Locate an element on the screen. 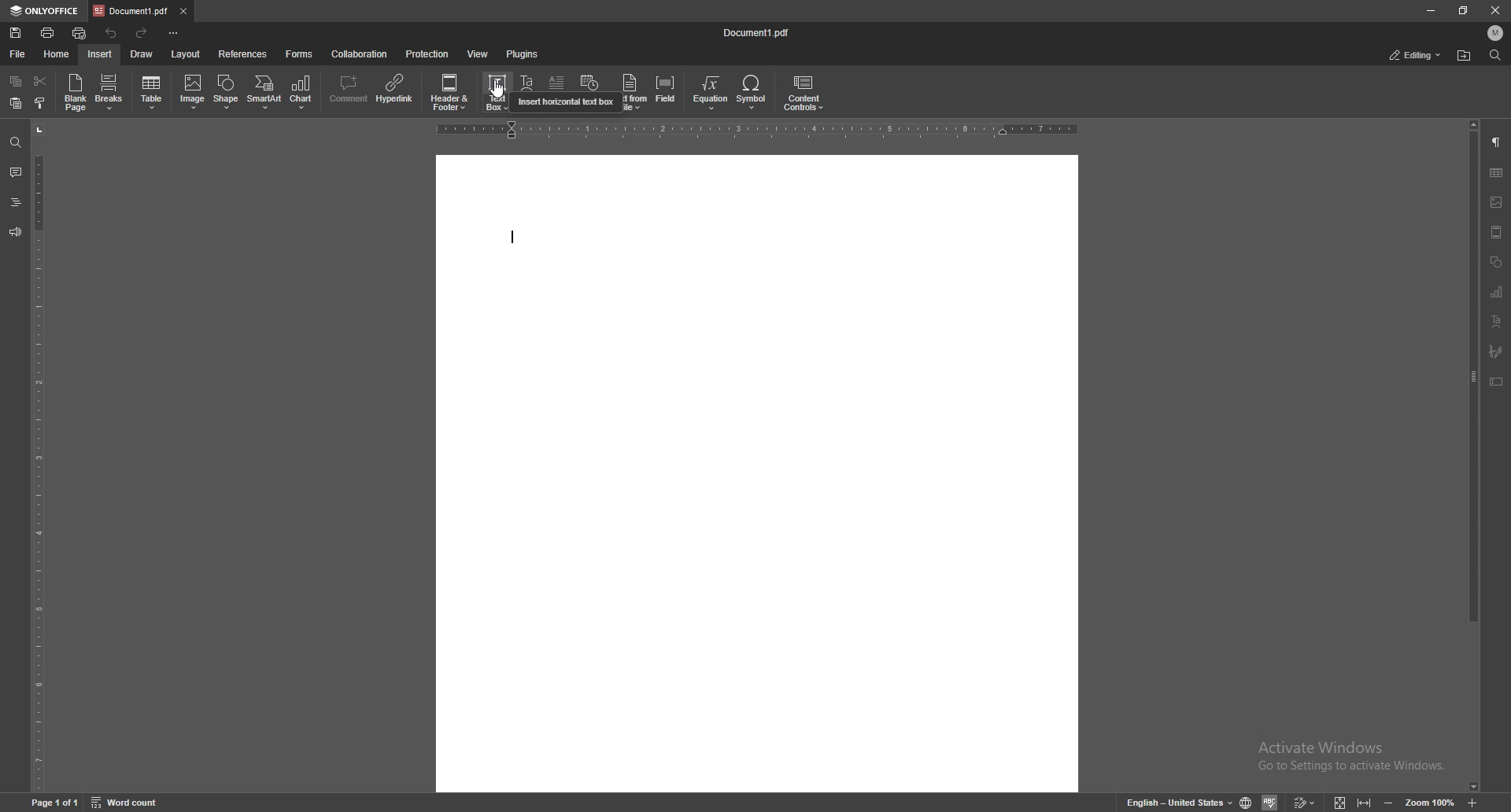  paste is located at coordinates (17, 104).